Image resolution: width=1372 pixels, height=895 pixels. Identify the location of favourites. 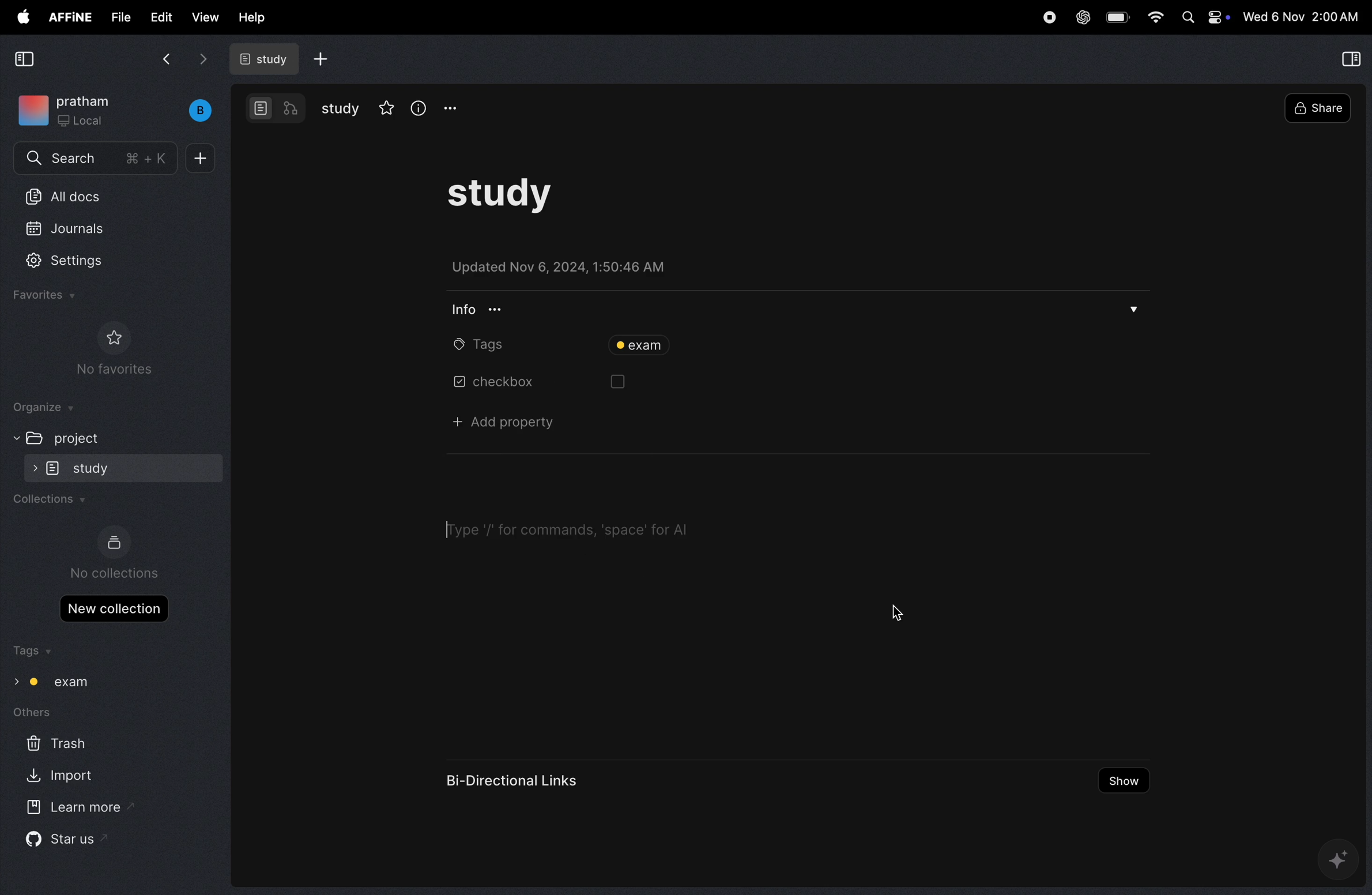
(47, 296).